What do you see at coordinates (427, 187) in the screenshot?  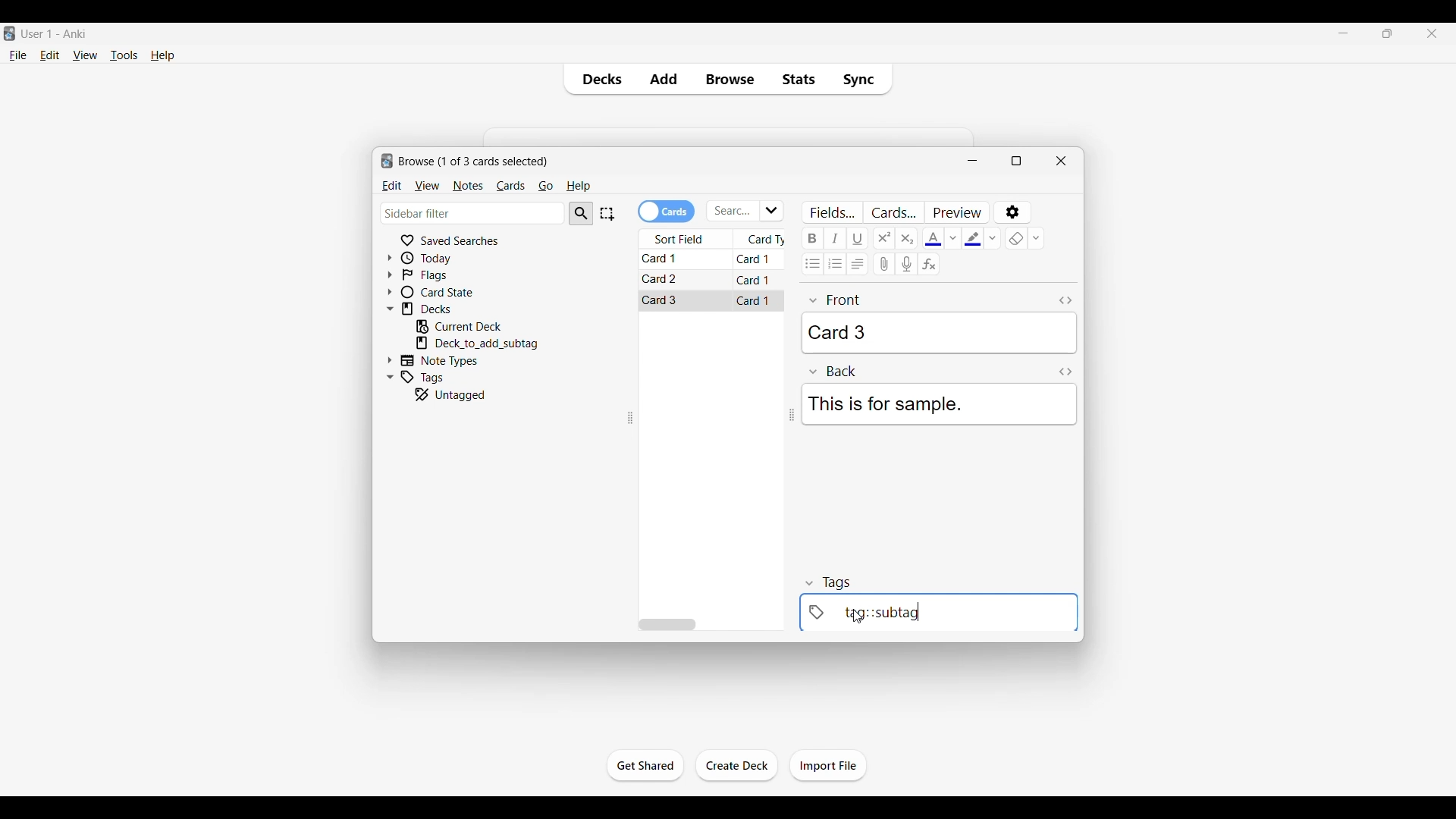 I see `View menu` at bounding box center [427, 187].